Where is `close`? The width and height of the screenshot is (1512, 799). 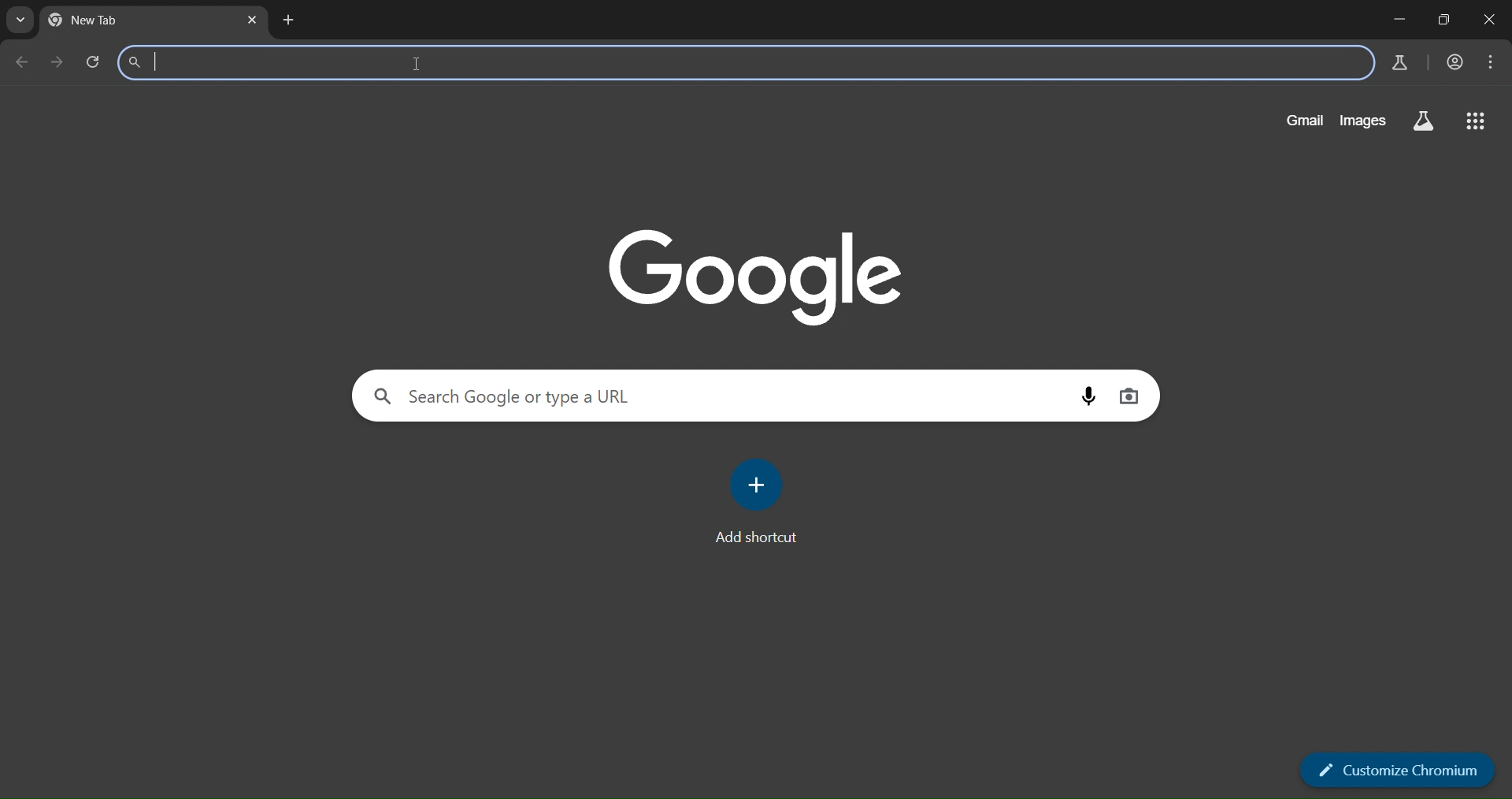
close is located at coordinates (1489, 22).